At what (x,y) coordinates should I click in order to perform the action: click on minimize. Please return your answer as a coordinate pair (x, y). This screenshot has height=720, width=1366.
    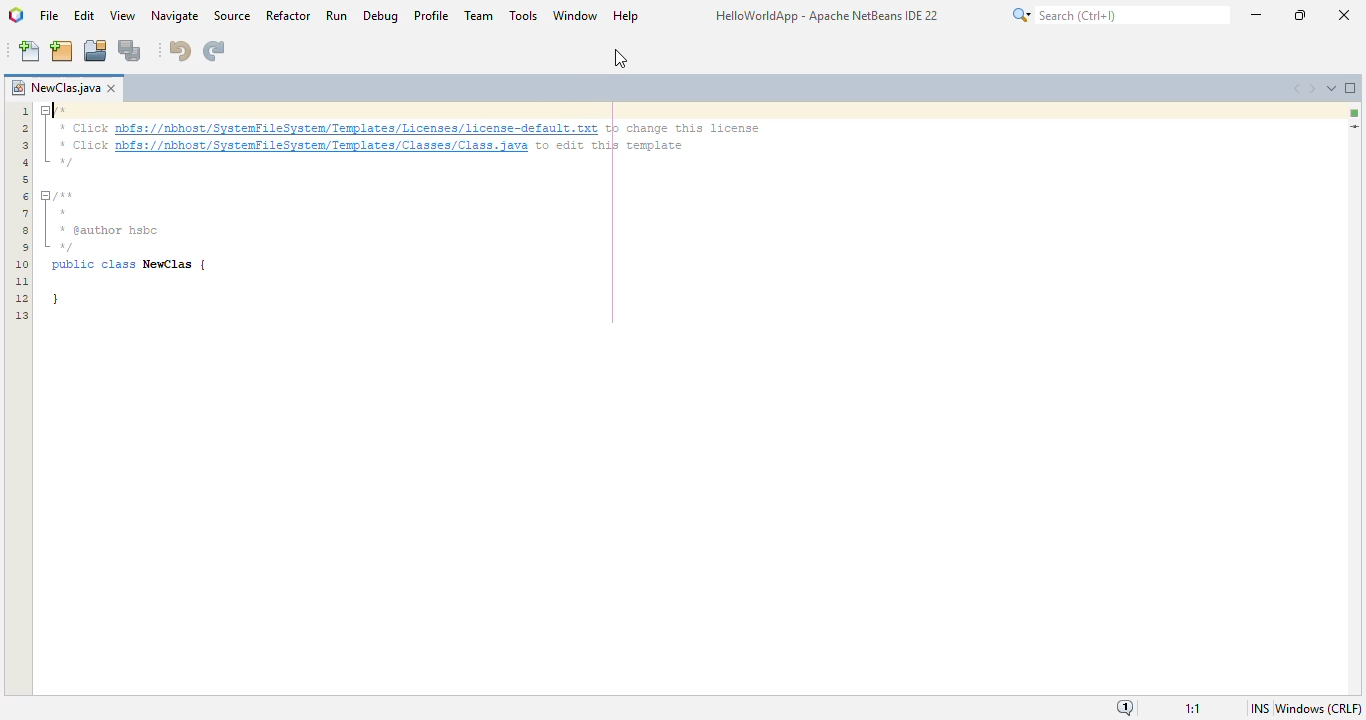
    Looking at the image, I should click on (1256, 13).